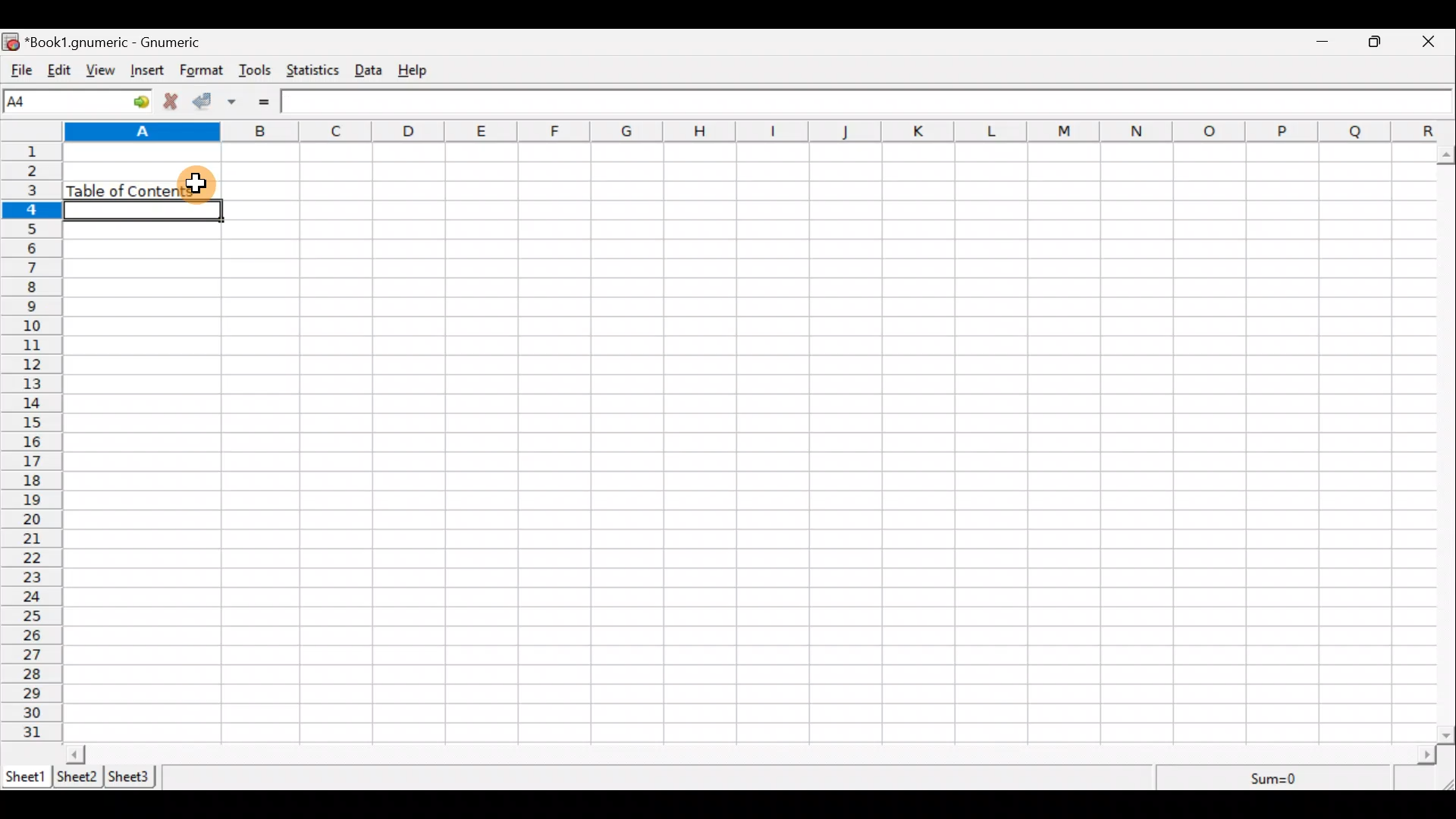 The image size is (1456, 819). Describe the element at coordinates (237, 102) in the screenshot. I see `Accept change in multiple cells` at that location.